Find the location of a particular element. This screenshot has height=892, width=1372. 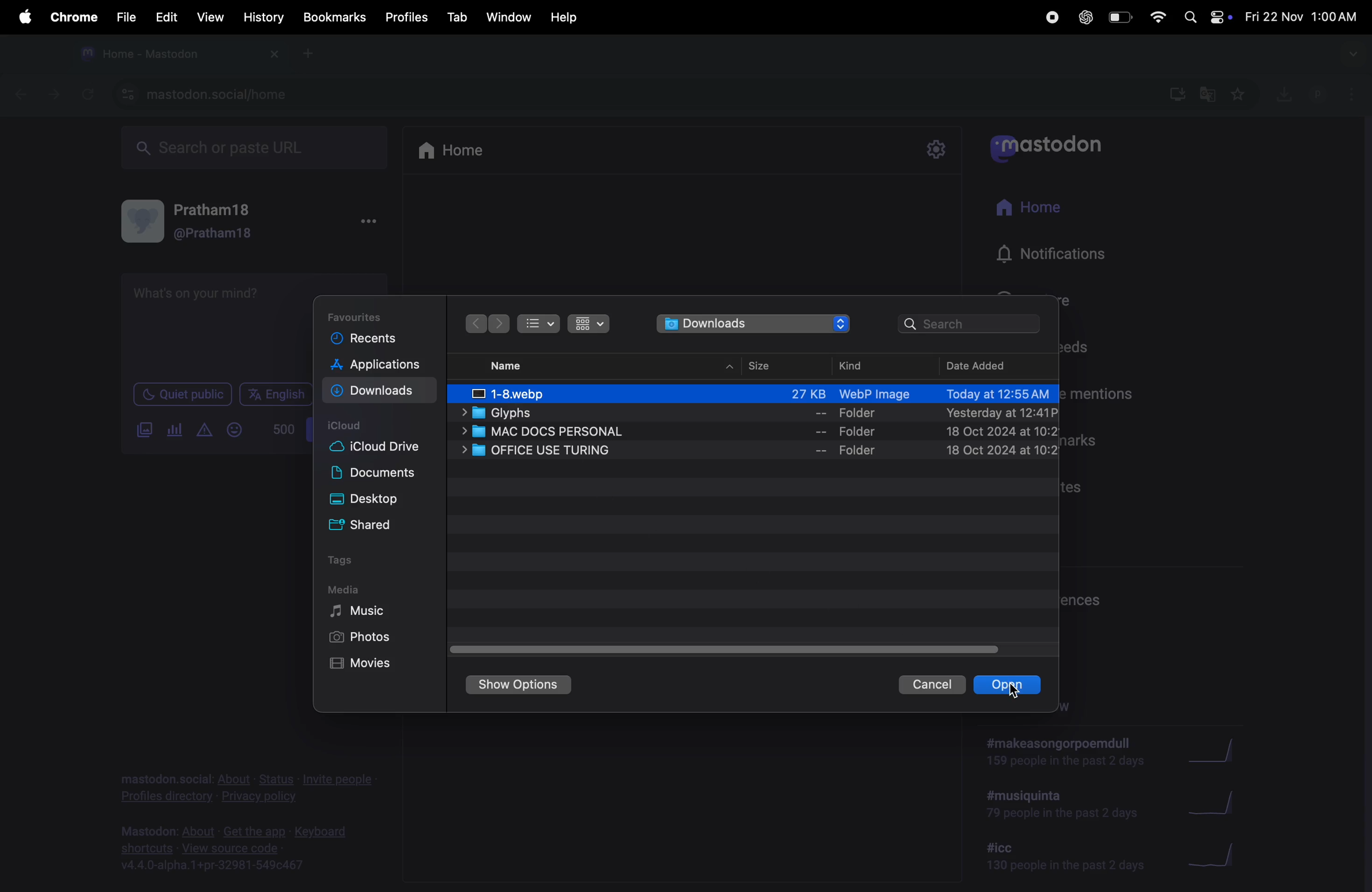

new tab is located at coordinates (307, 54).